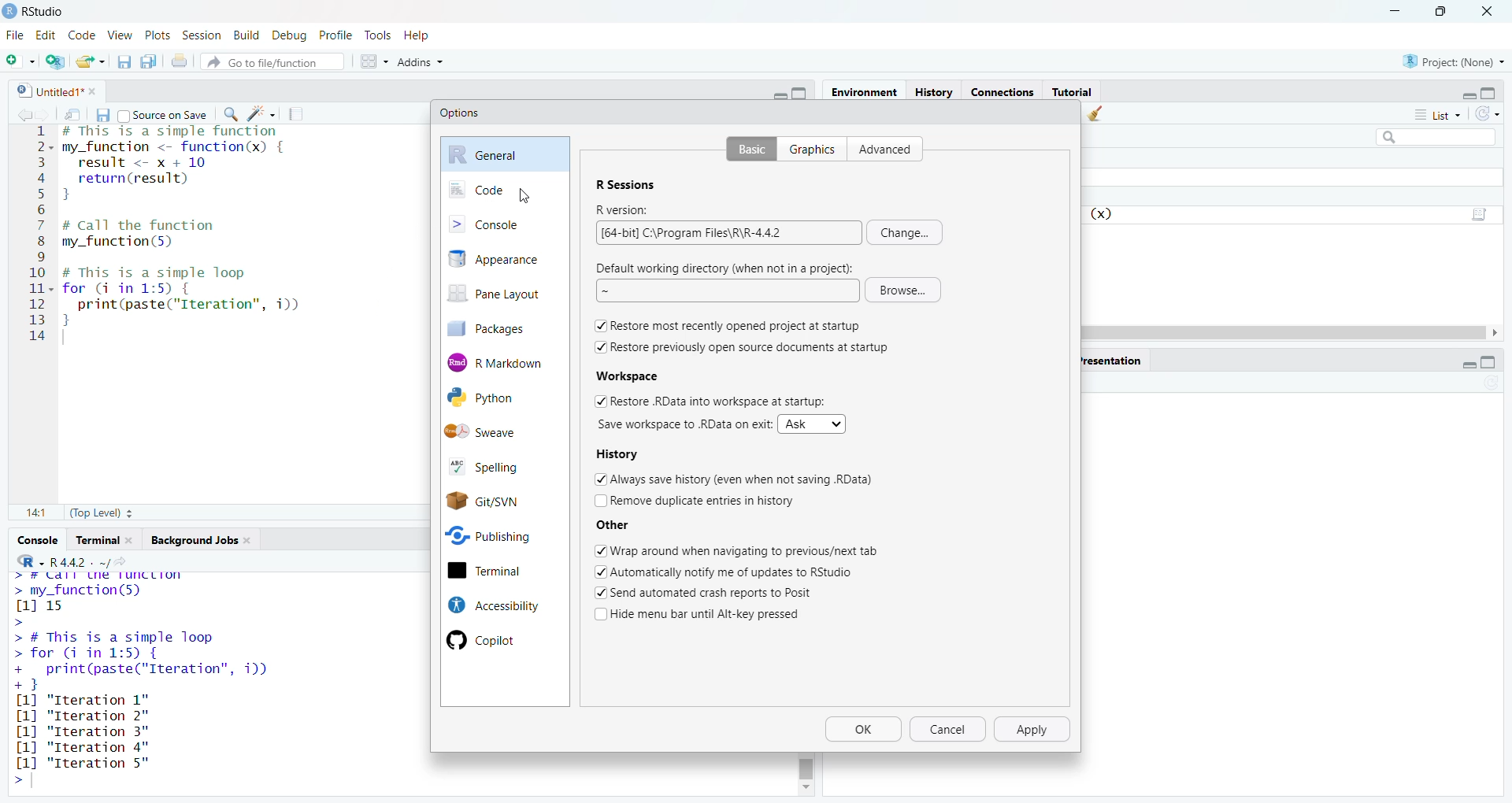 This screenshot has height=803, width=1512. What do you see at coordinates (86, 716) in the screenshot?
I see `[1] "Iteration 2"` at bounding box center [86, 716].